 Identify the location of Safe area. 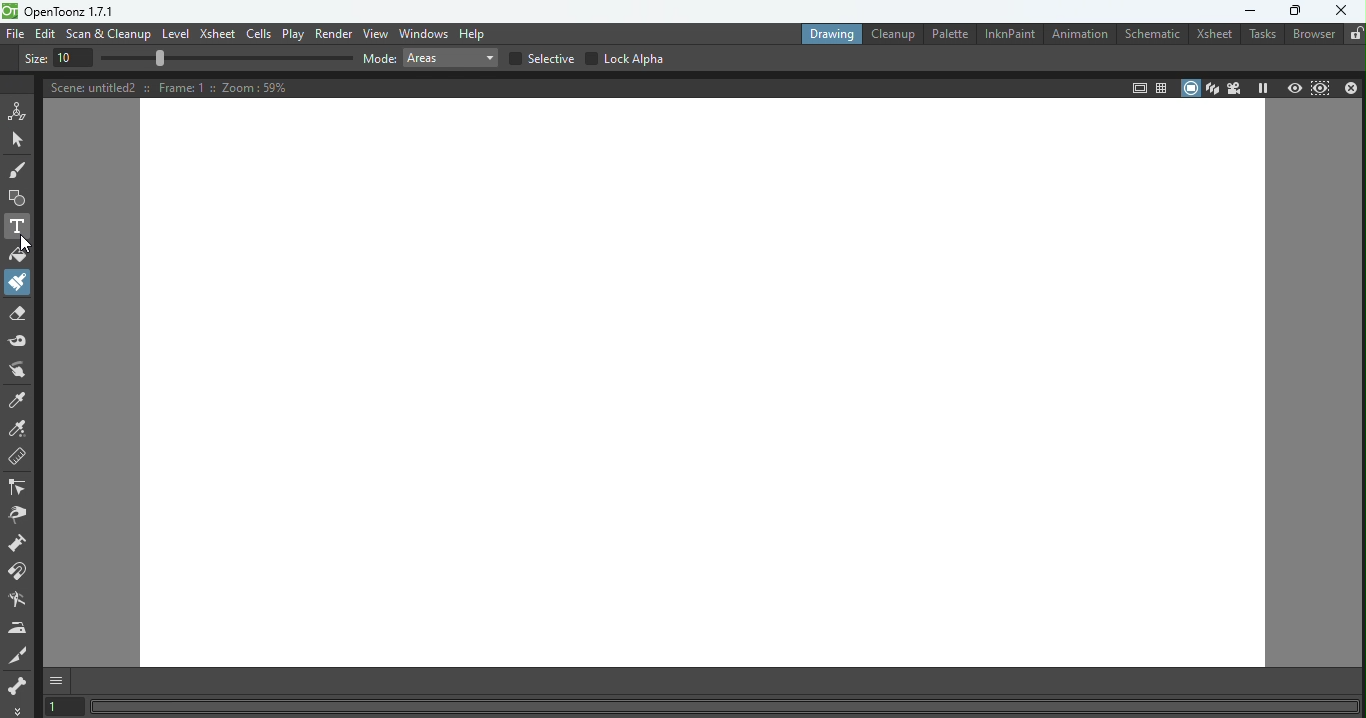
(1138, 87).